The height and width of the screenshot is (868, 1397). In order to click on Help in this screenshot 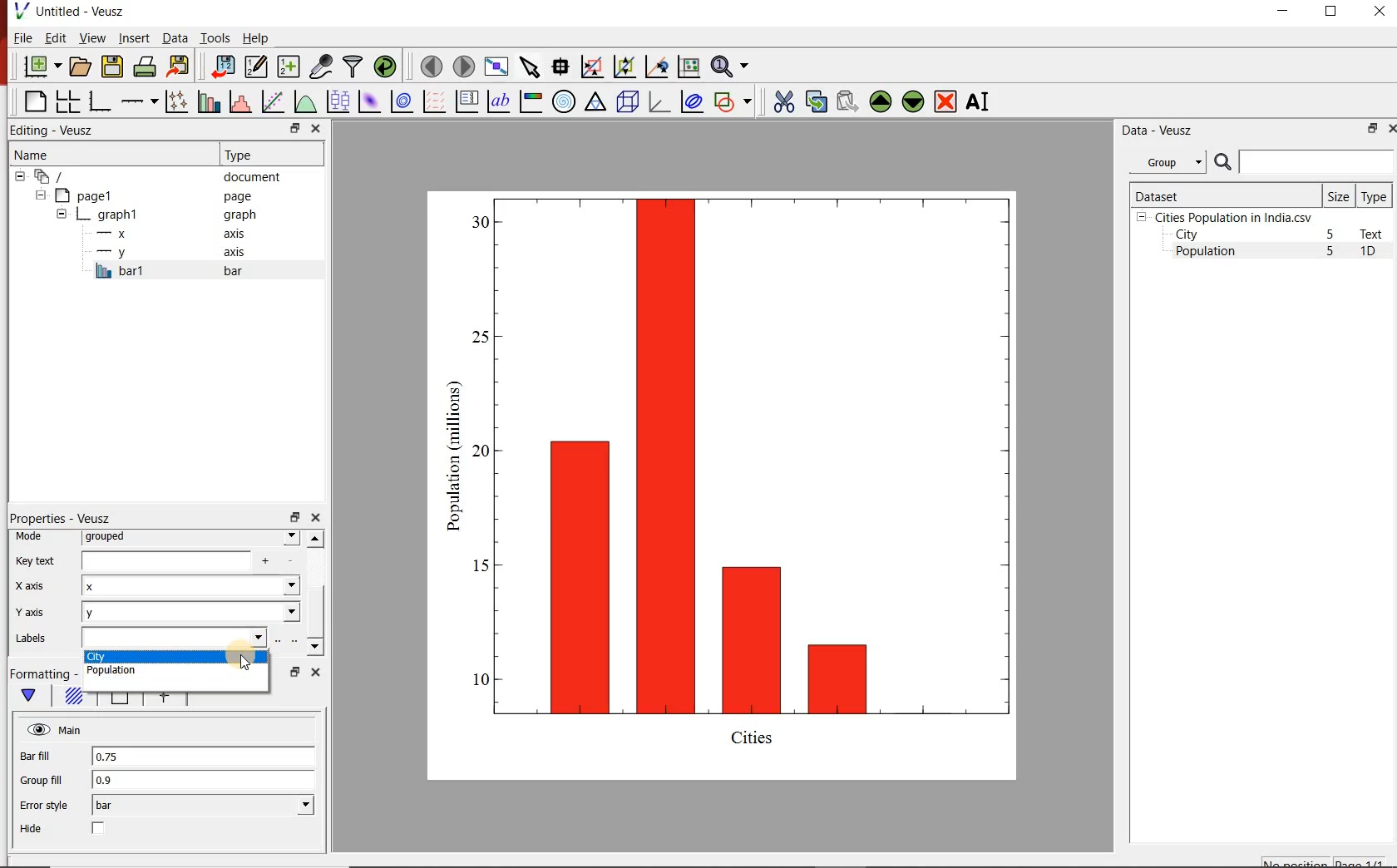, I will do `click(257, 37)`.